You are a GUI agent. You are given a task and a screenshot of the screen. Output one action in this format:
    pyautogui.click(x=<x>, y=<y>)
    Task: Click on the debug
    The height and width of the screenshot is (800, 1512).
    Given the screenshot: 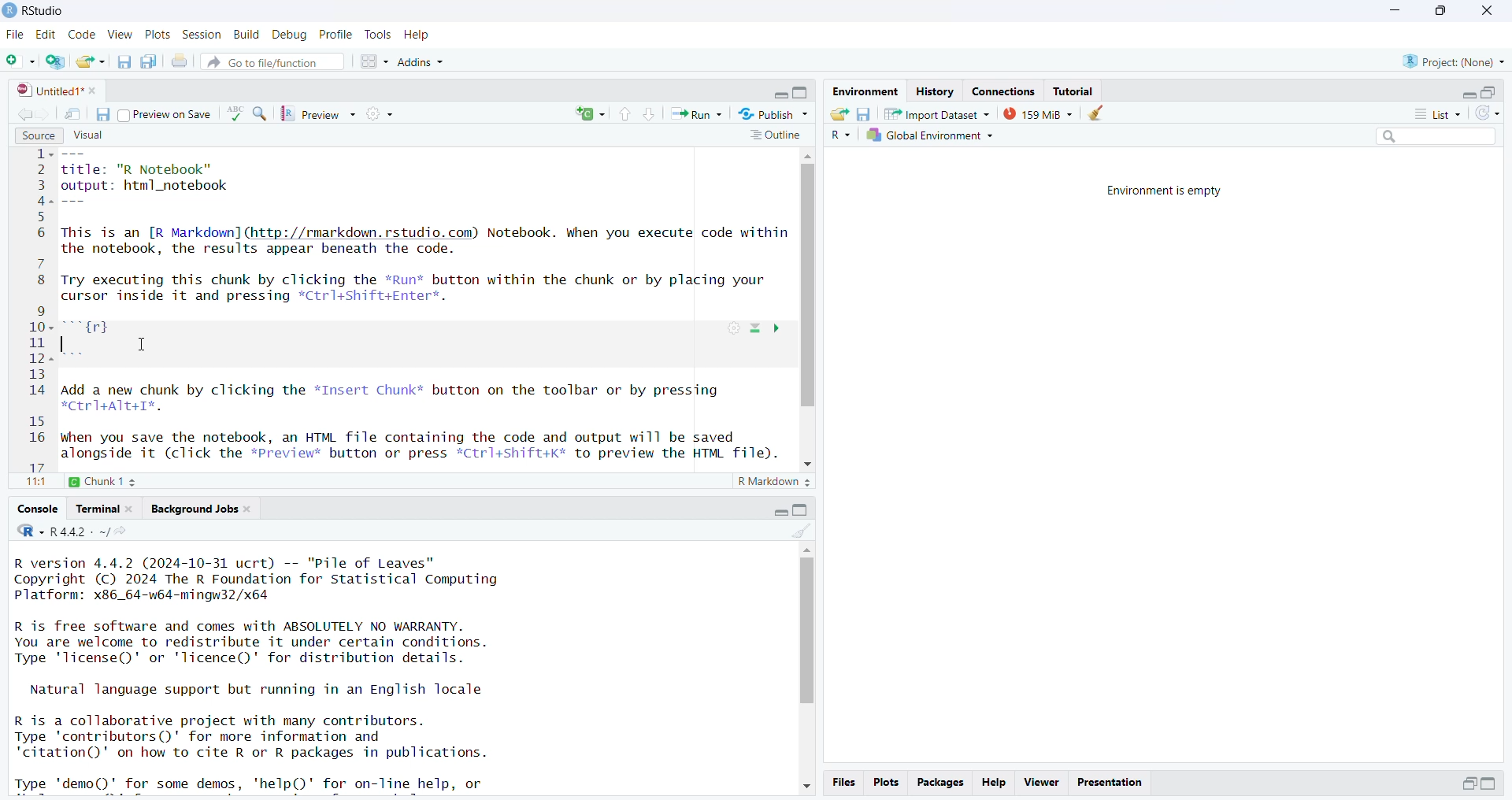 What is the action you would take?
    pyautogui.click(x=291, y=35)
    